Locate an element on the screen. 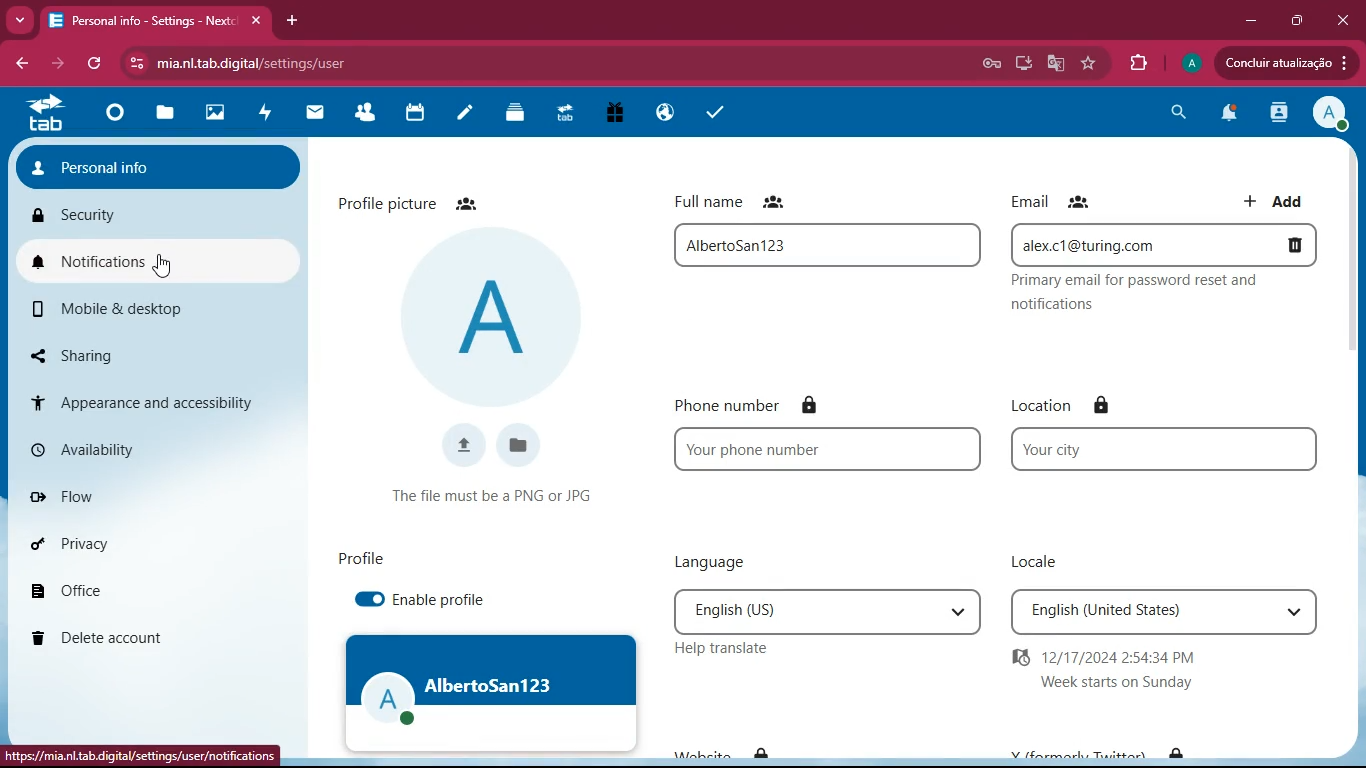 This screenshot has width=1366, height=768. enable is located at coordinates (443, 602).